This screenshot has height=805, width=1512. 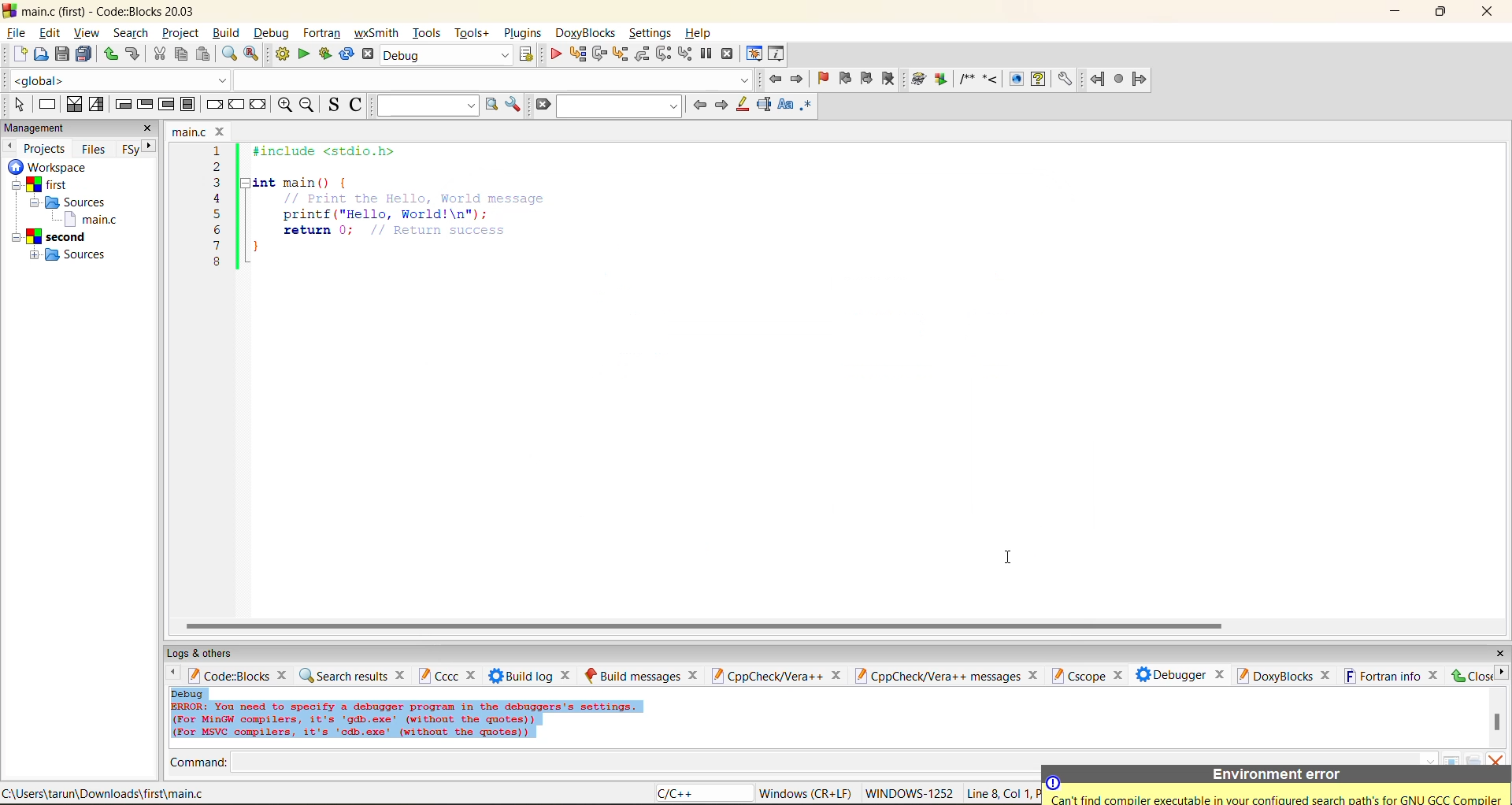 I want to click on open, so click(x=42, y=54).